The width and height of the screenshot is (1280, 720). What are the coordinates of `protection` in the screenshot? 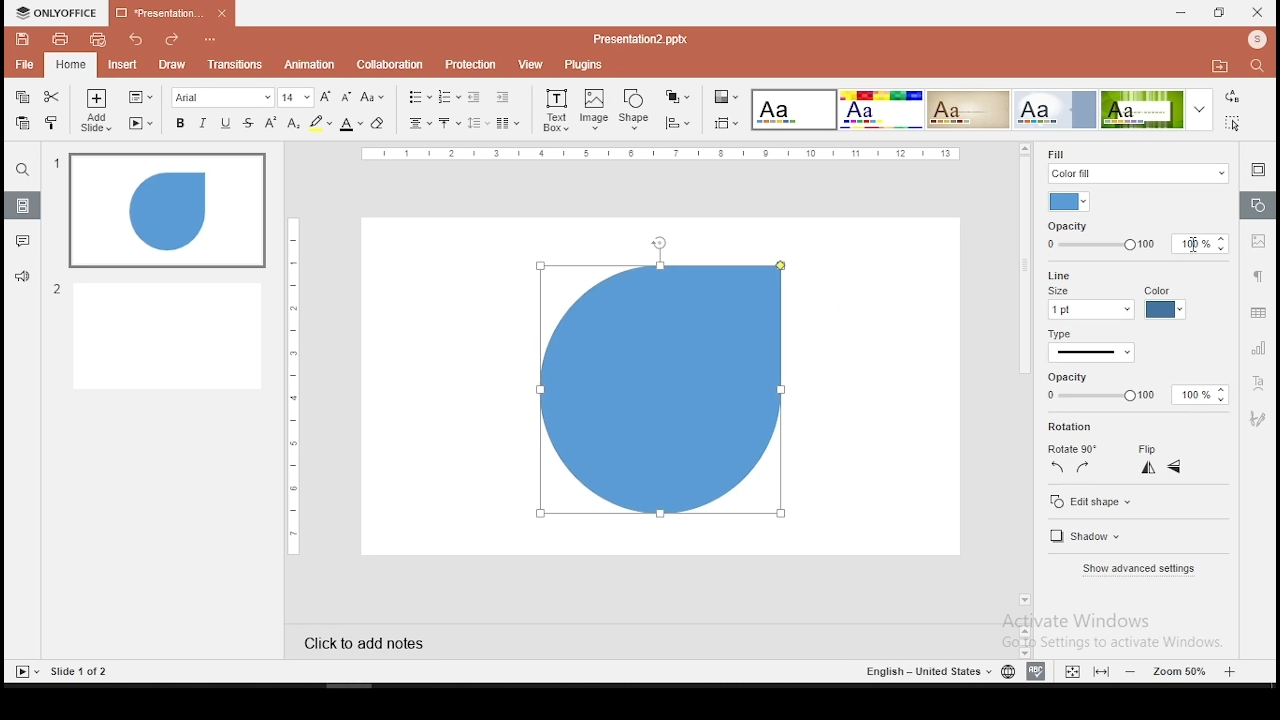 It's located at (469, 65).